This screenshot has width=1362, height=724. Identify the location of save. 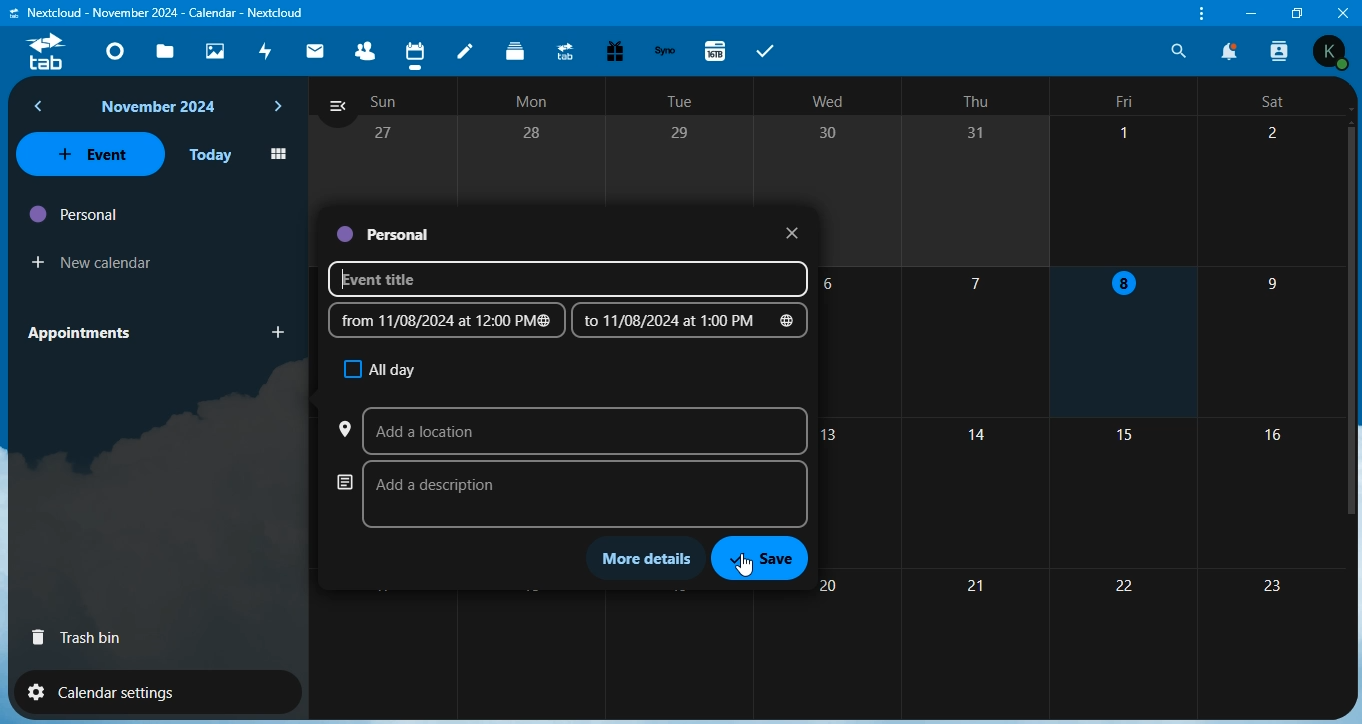
(768, 560).